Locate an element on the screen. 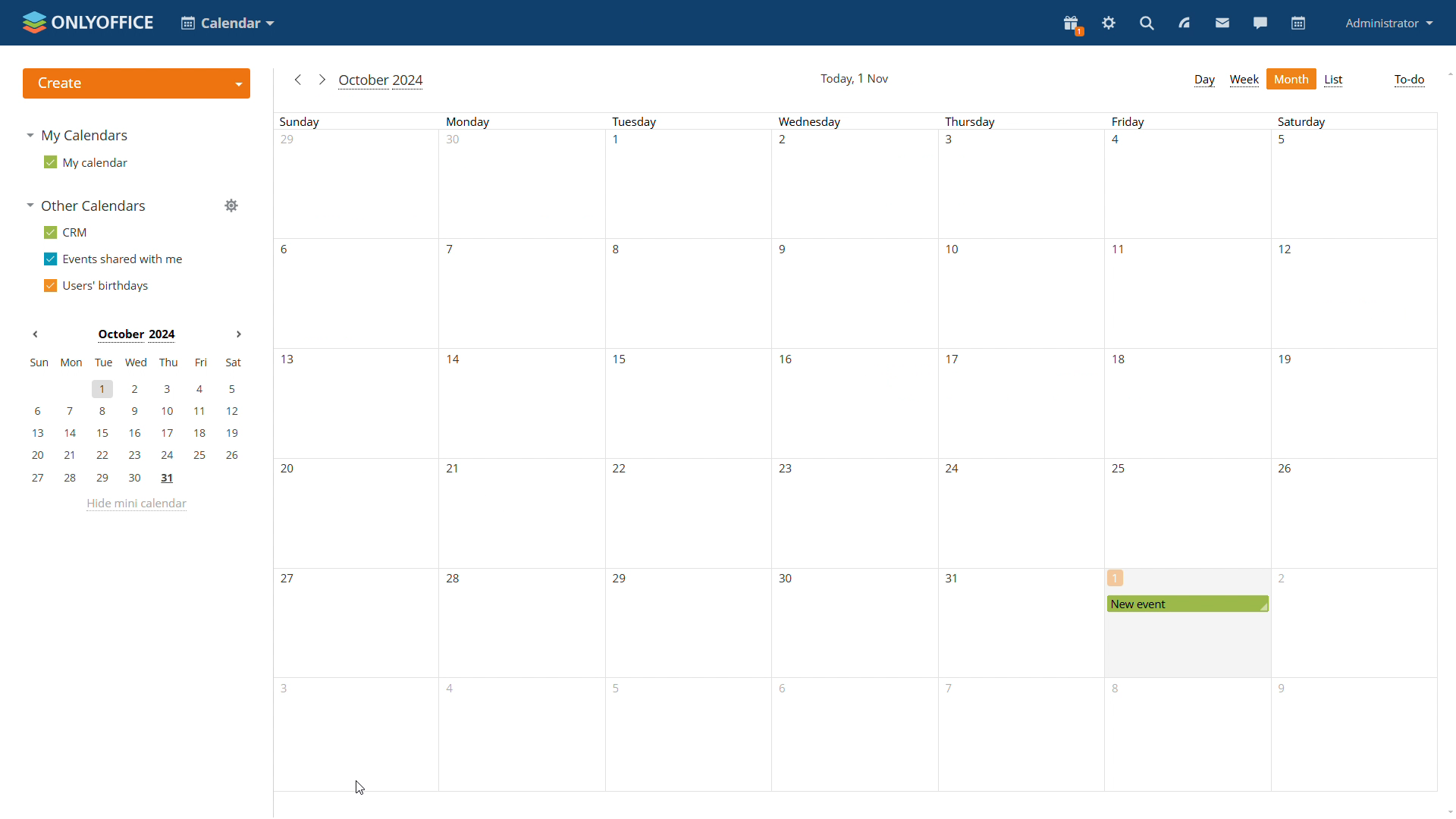 The height and width of the screenshot is (819, 1456). create is located at coordinates (136, 83).